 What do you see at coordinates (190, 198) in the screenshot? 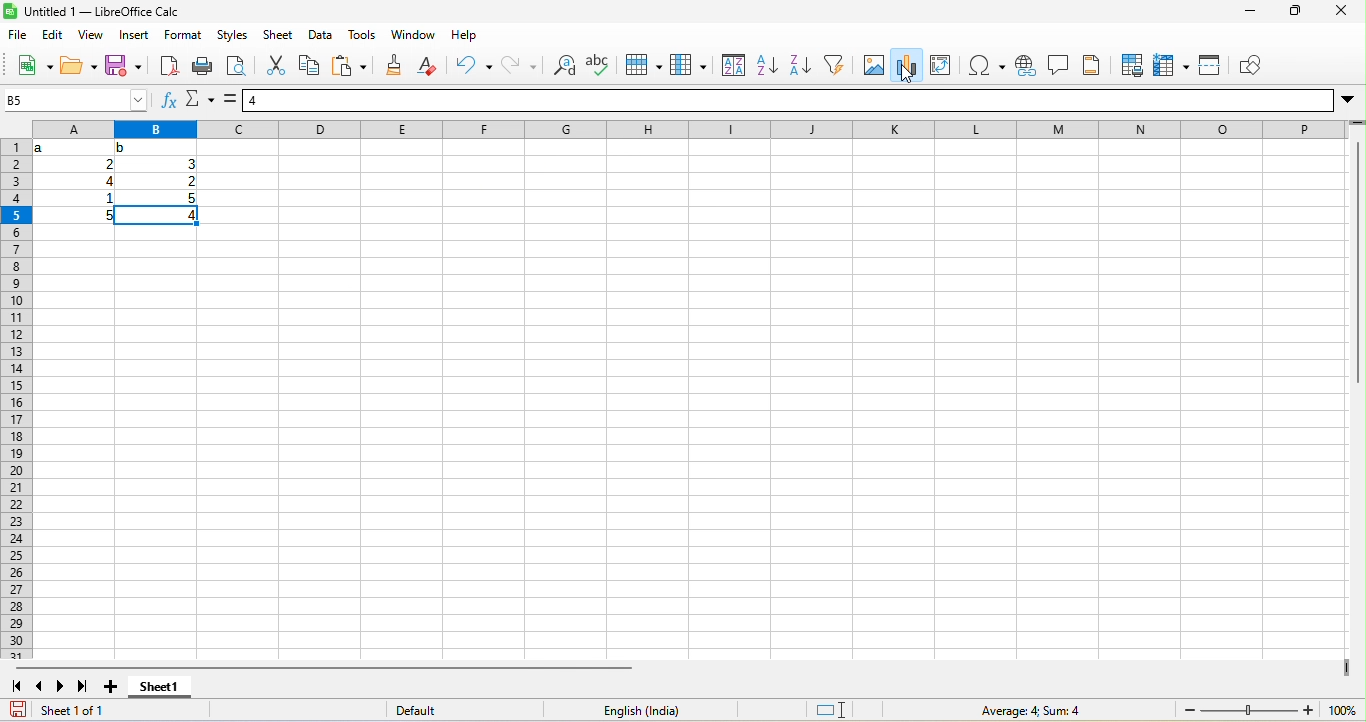
I see `5` at bounding box center [190, 198].